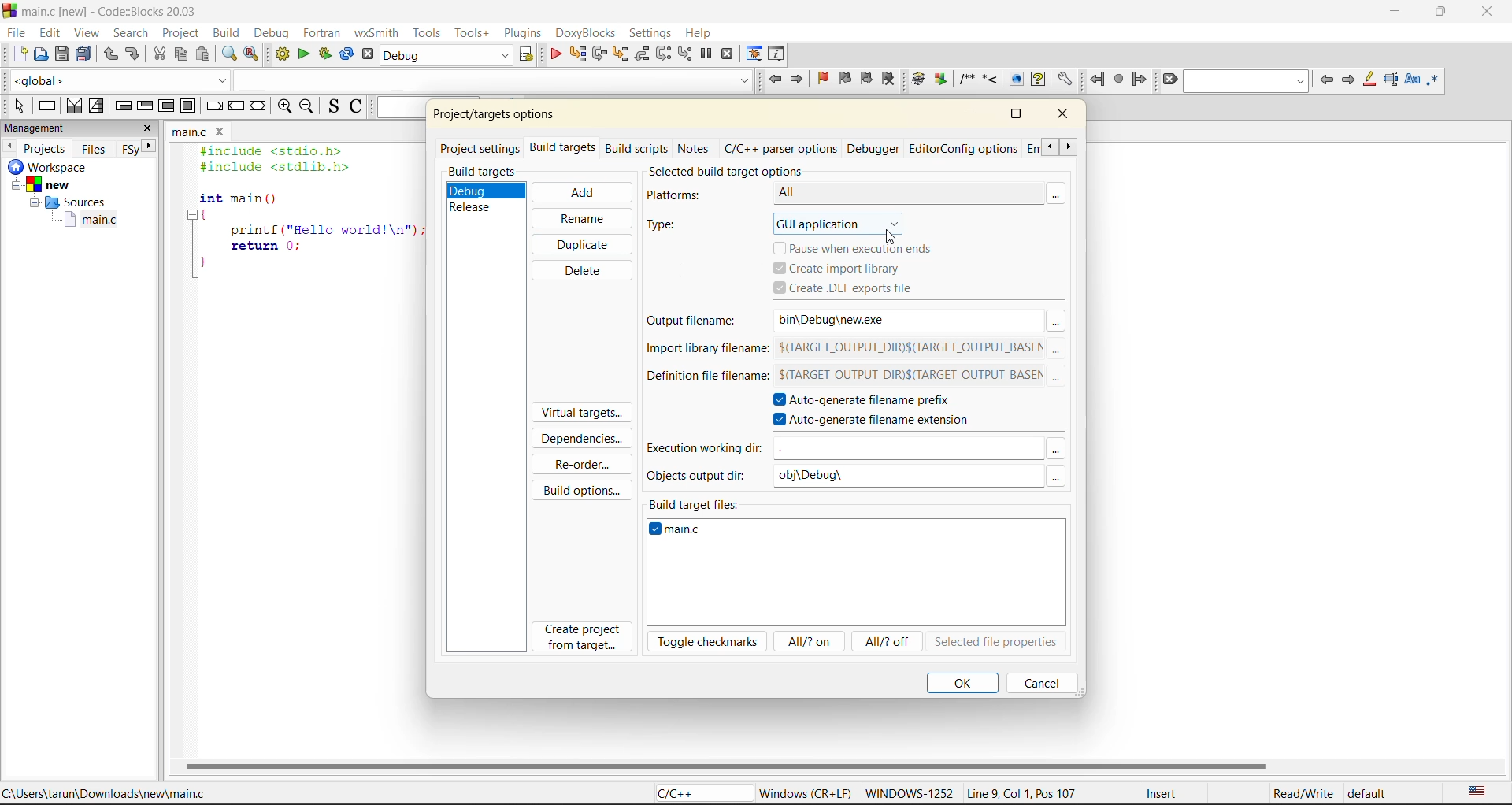  I want to click on create project from target, so click(584, 638).